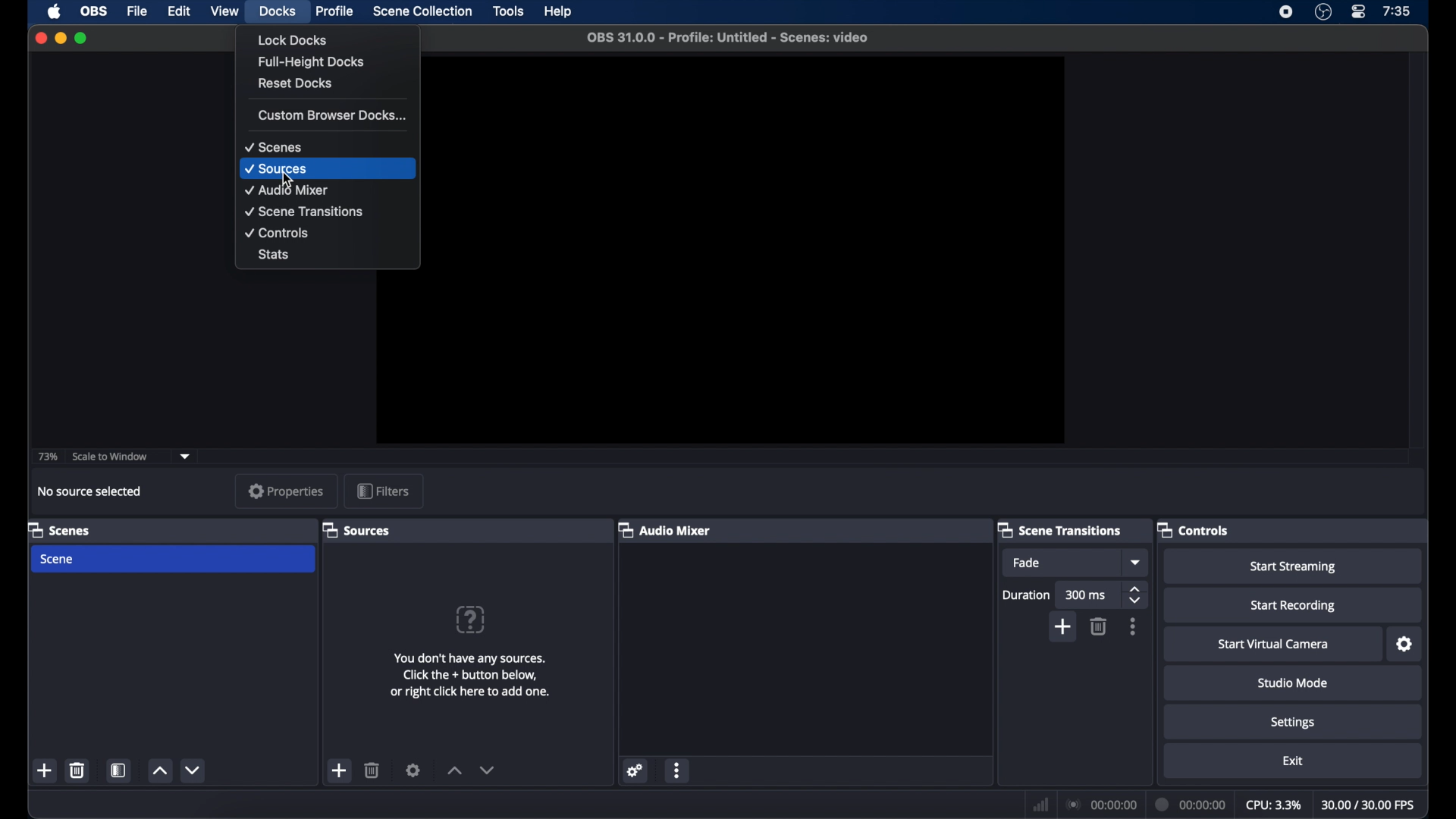 The width and height of the screenshot is (1456, 819). I want to click on scale to window, so click(111, 457).